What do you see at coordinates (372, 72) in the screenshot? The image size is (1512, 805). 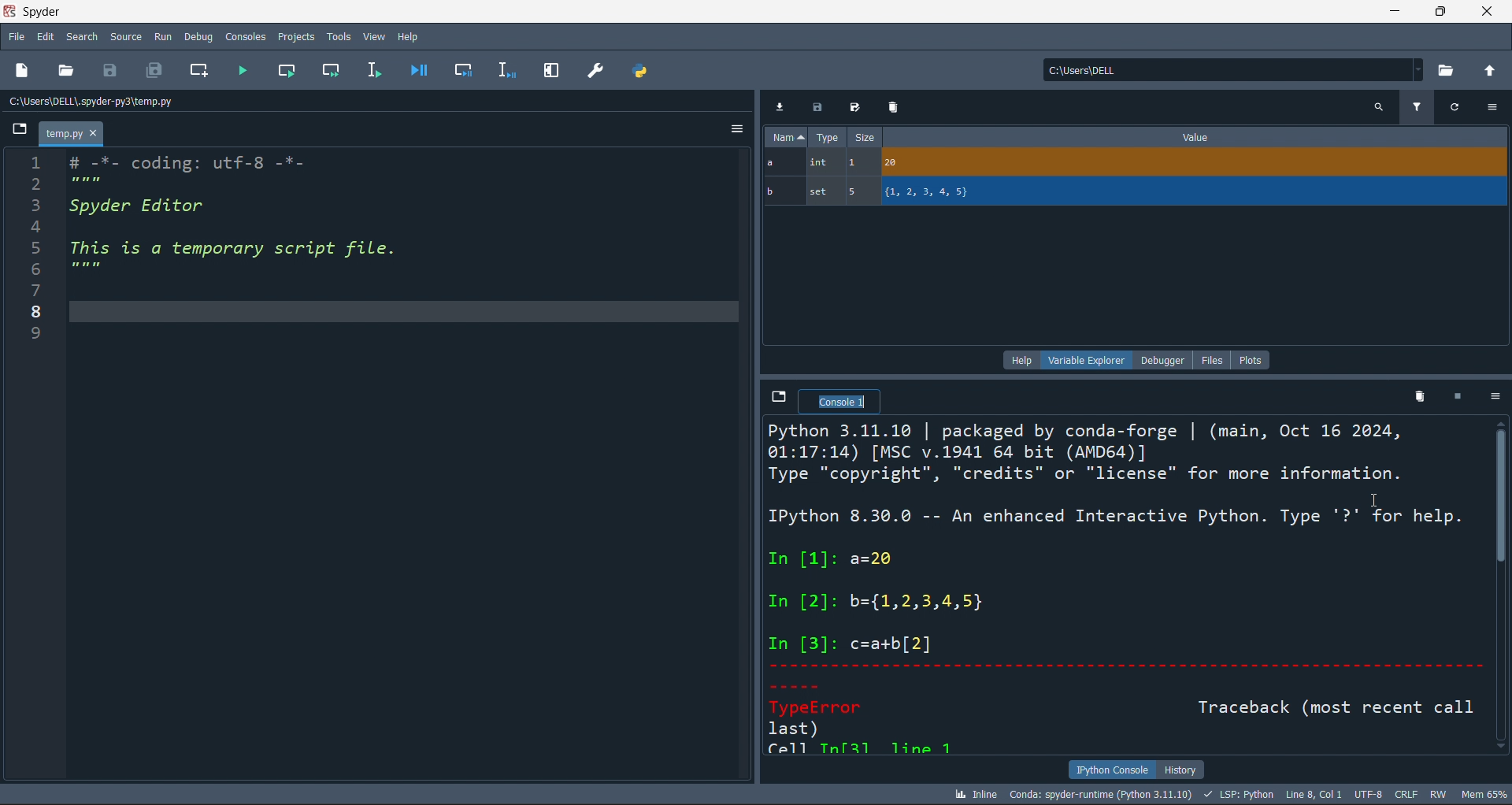 I see `run line` at bounding box center [372, 72].